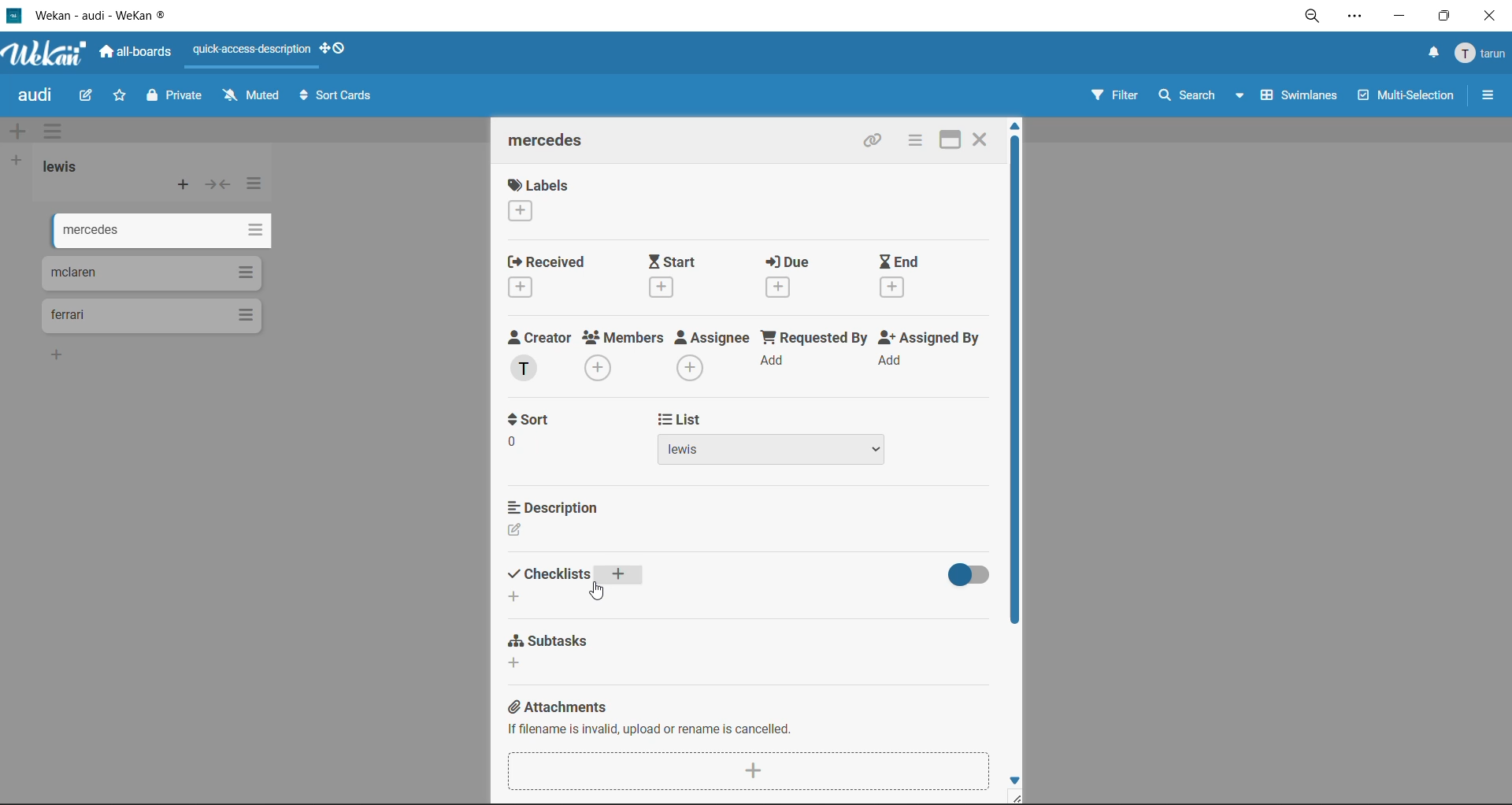 The width and height of the screenshot is (1512, 805). Describe the element at coordinates (553, 143) in the screenshot. I see `card title` at that location.